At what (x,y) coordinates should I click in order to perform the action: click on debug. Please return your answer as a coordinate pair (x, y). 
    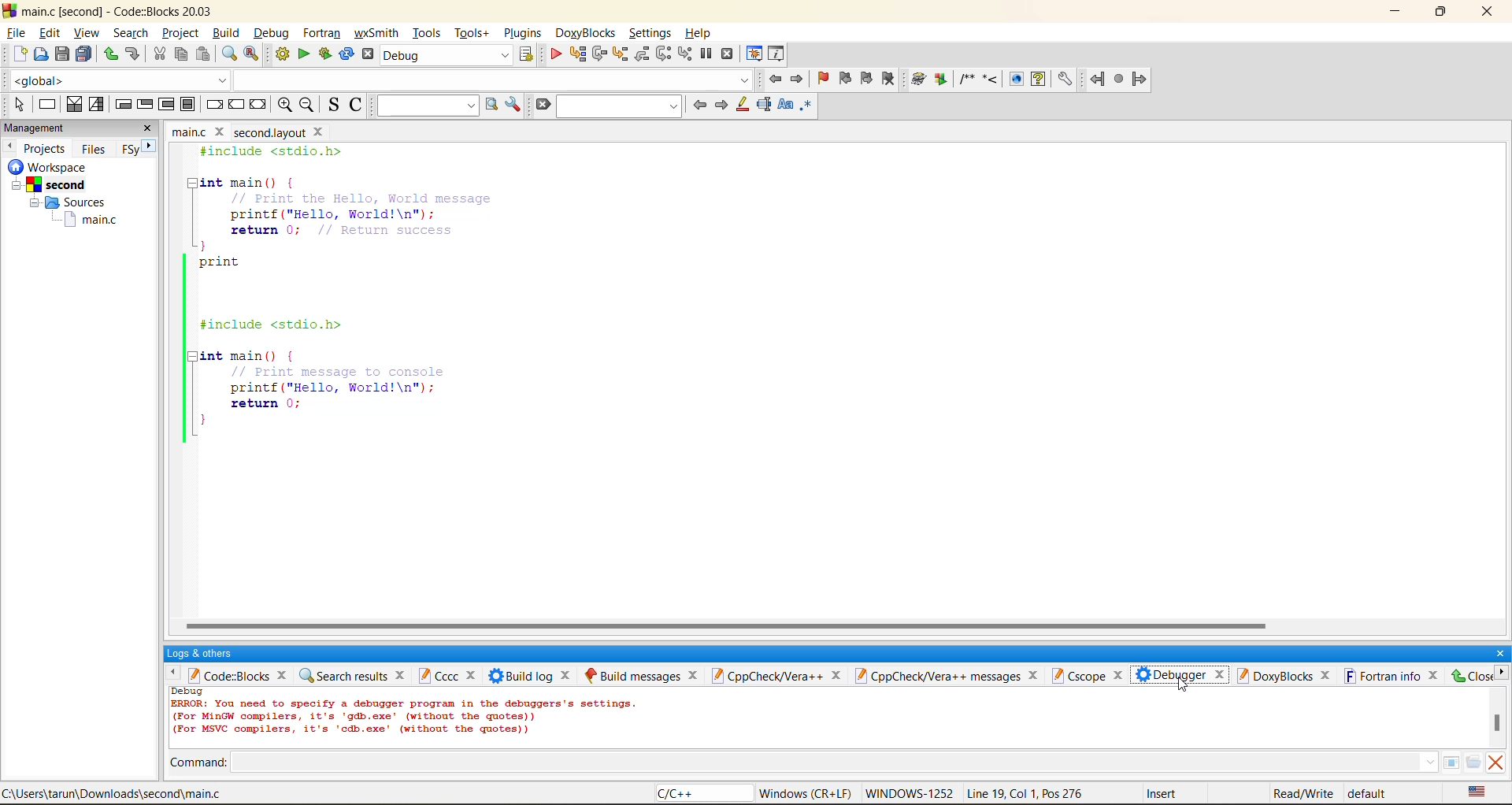
    Looking at the image, I should click on (272, 32).